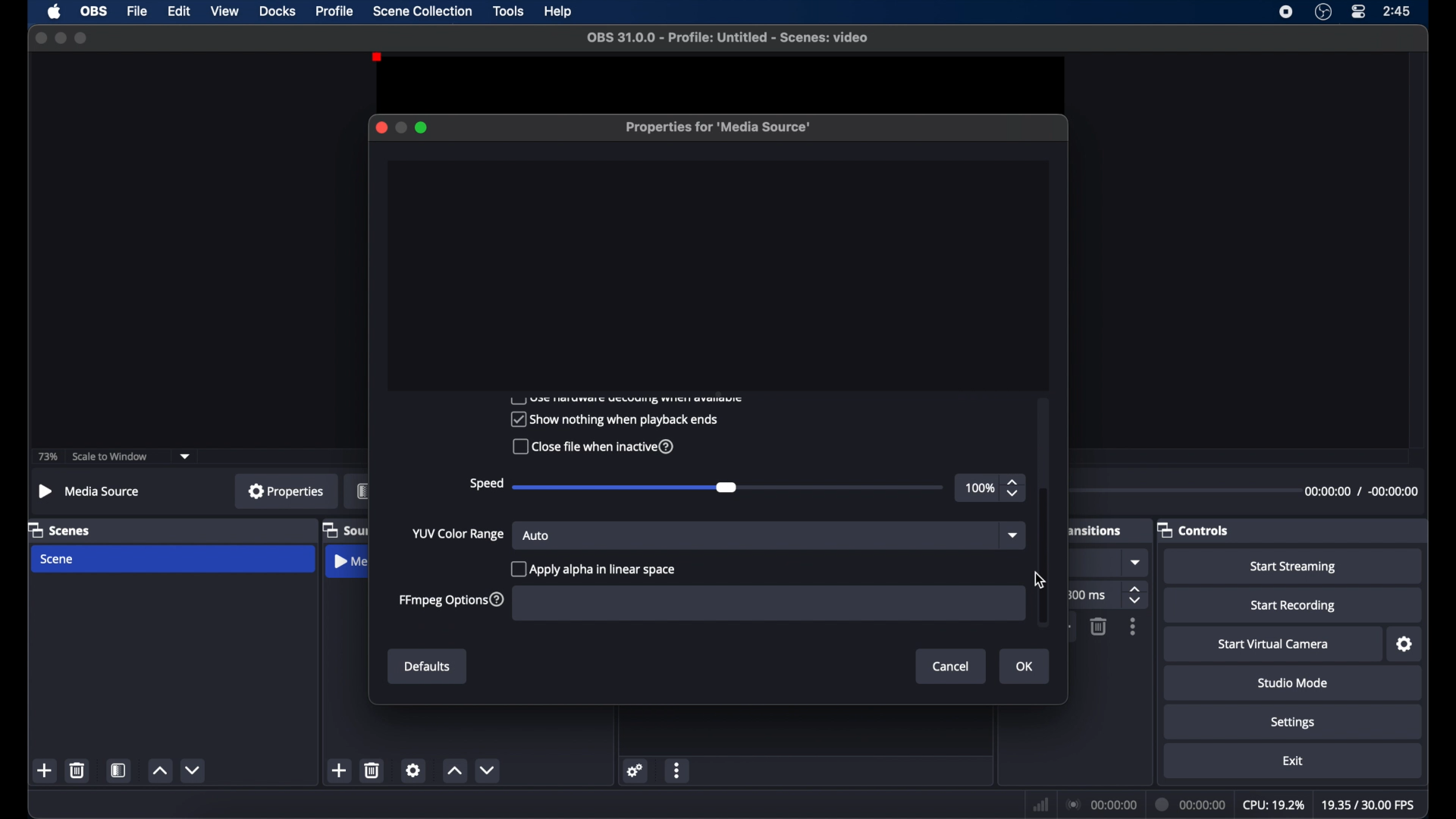  I want to click on properties for media source, so click(720, 128).